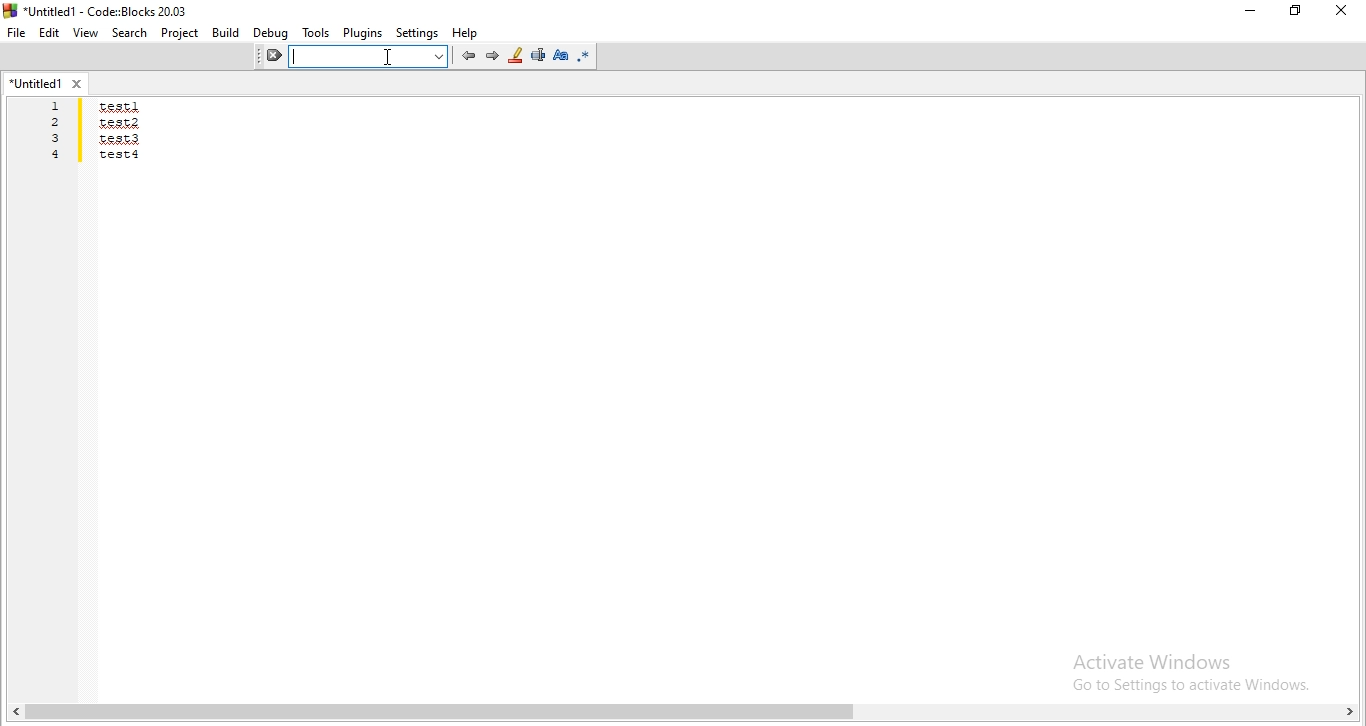  I want to click on match case, so click(561, 54).